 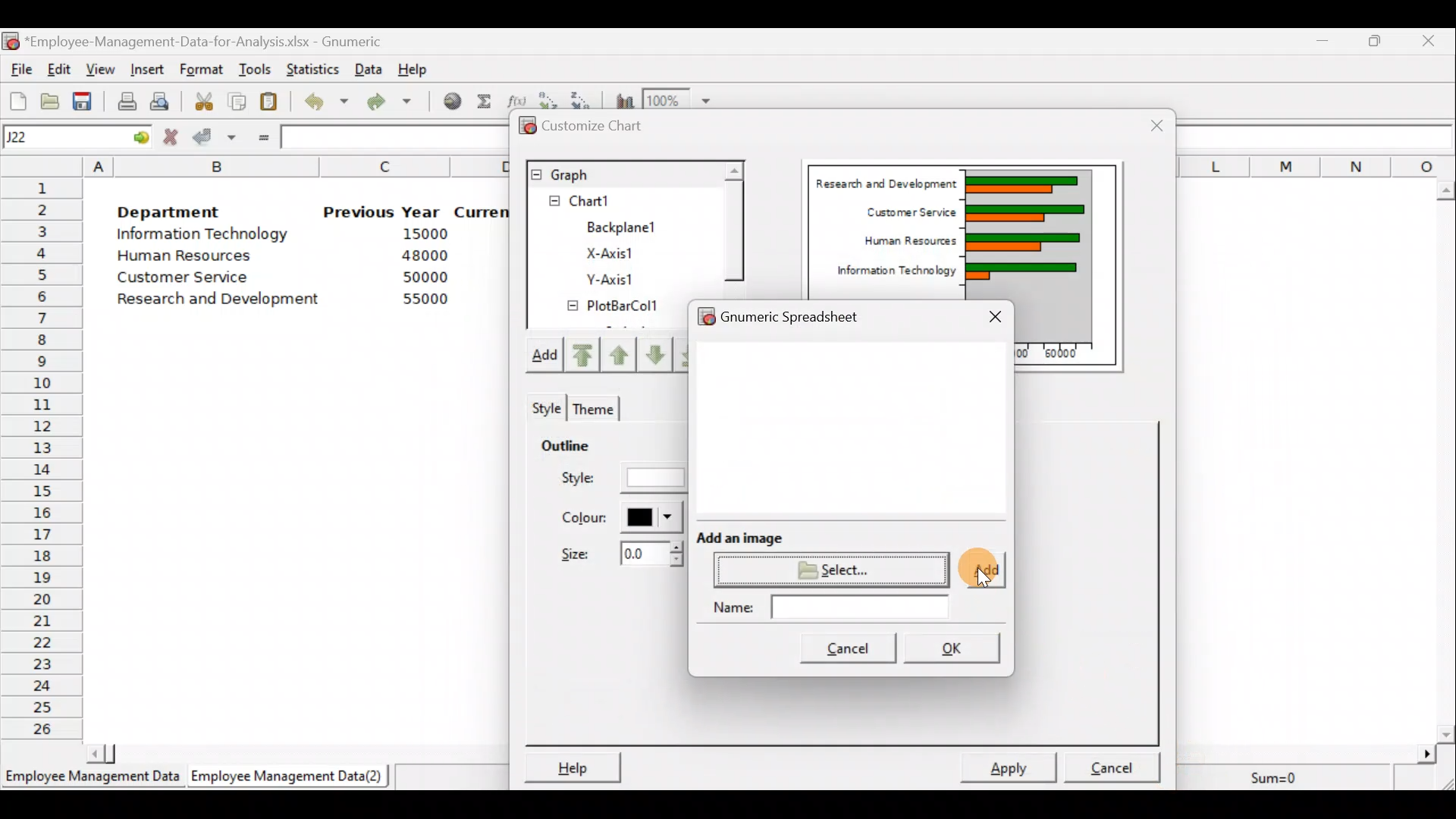 What do you see at coordinates (837, 569) in the screenshot?
I see `Select` at bounding box center [837, 569].